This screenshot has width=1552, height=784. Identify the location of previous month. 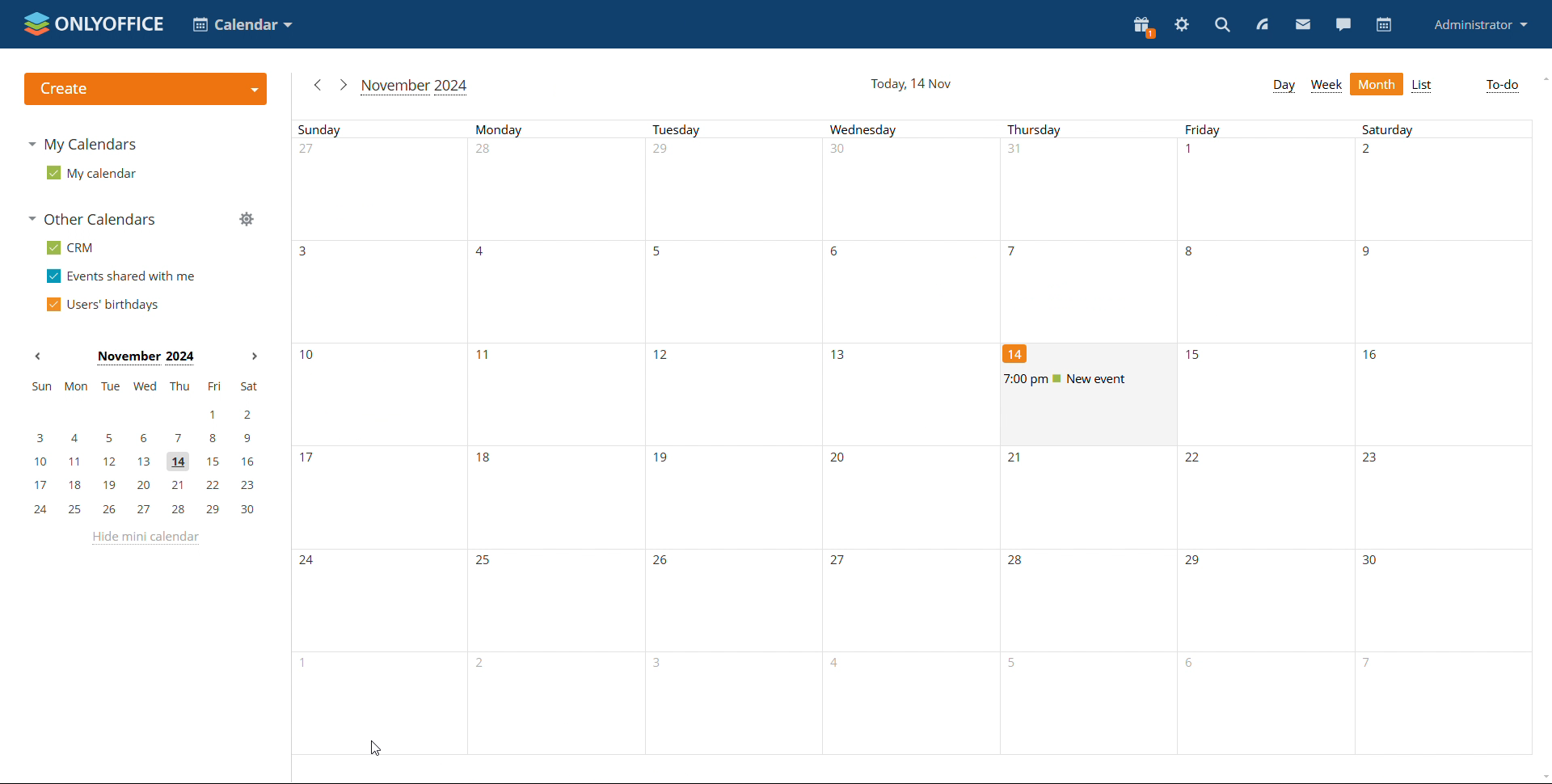
(317, 84).